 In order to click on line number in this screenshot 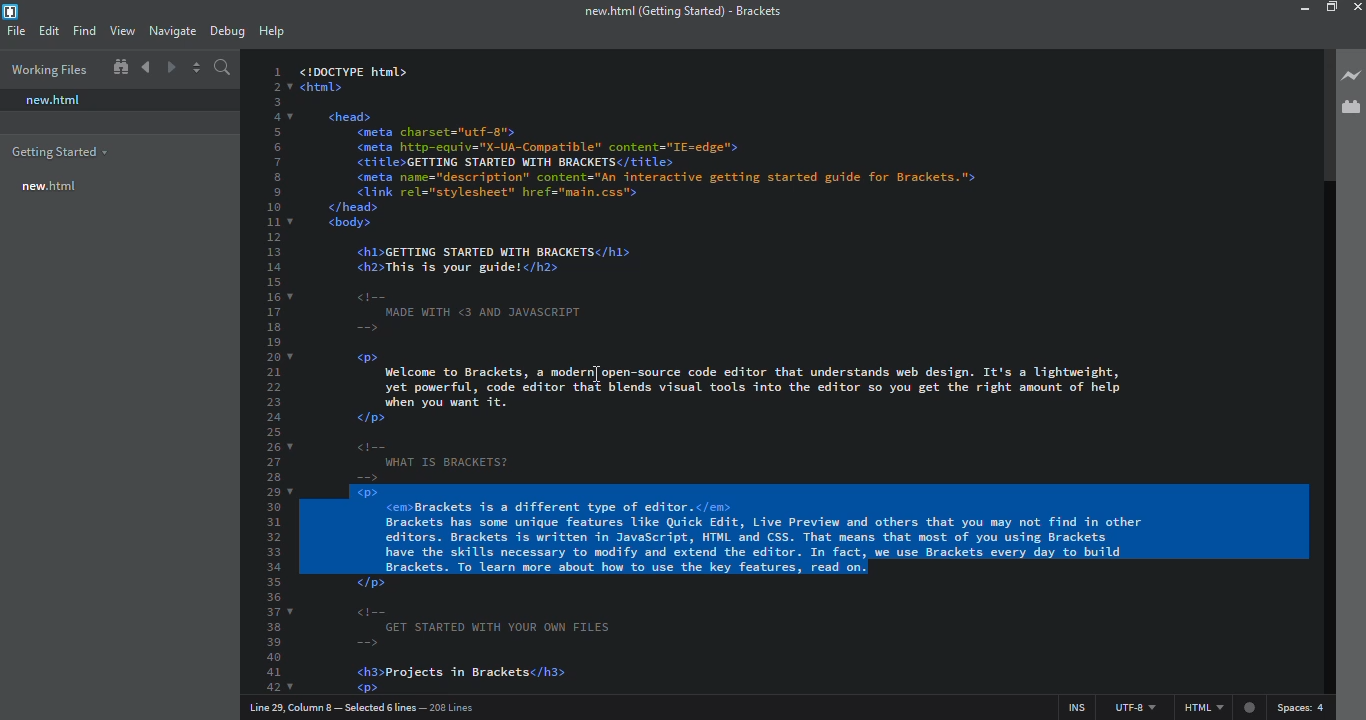, I will do `click(278, 376)`.